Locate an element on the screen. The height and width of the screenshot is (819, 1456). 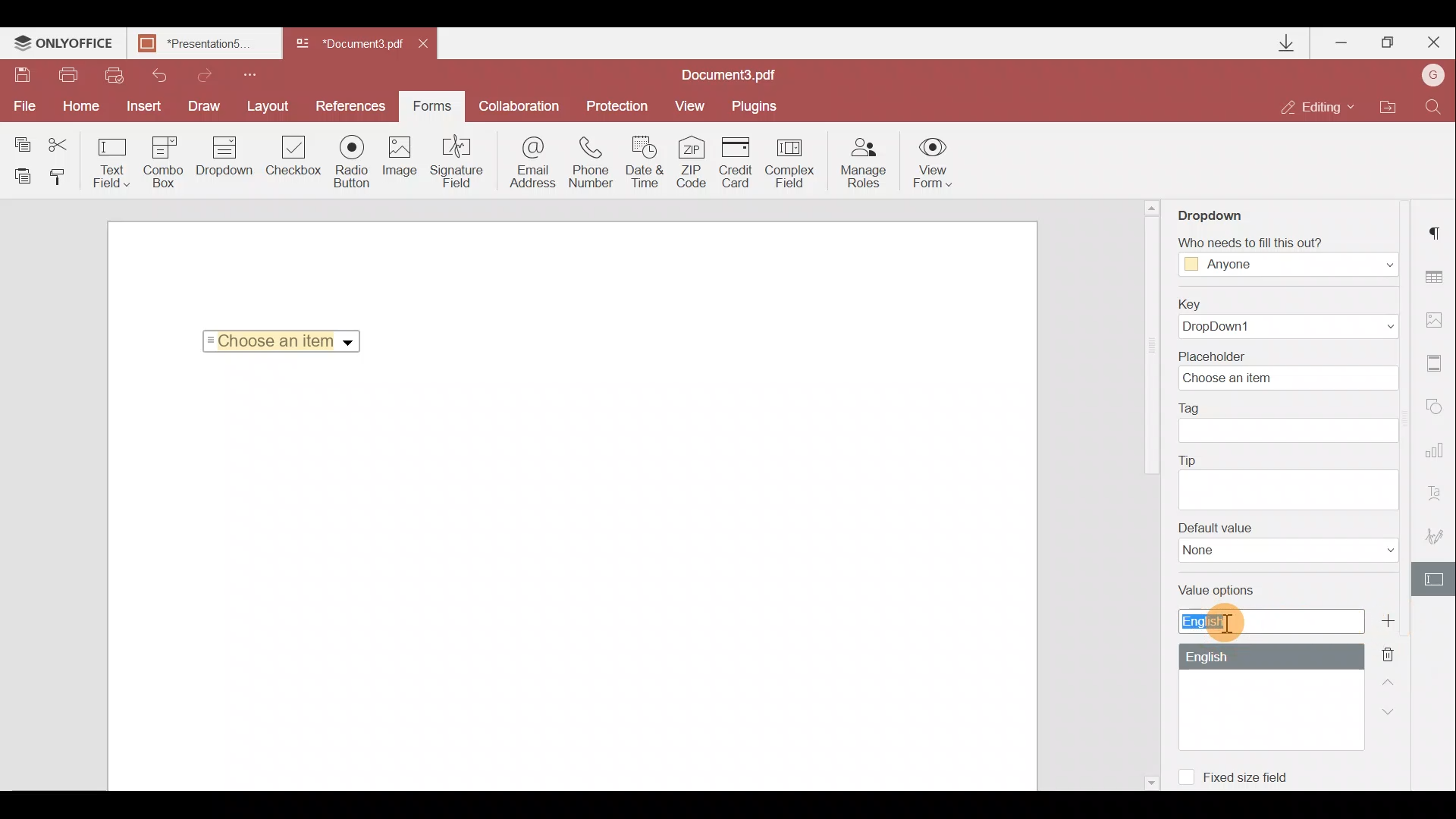
Text field is located at coordinates (112, 162).